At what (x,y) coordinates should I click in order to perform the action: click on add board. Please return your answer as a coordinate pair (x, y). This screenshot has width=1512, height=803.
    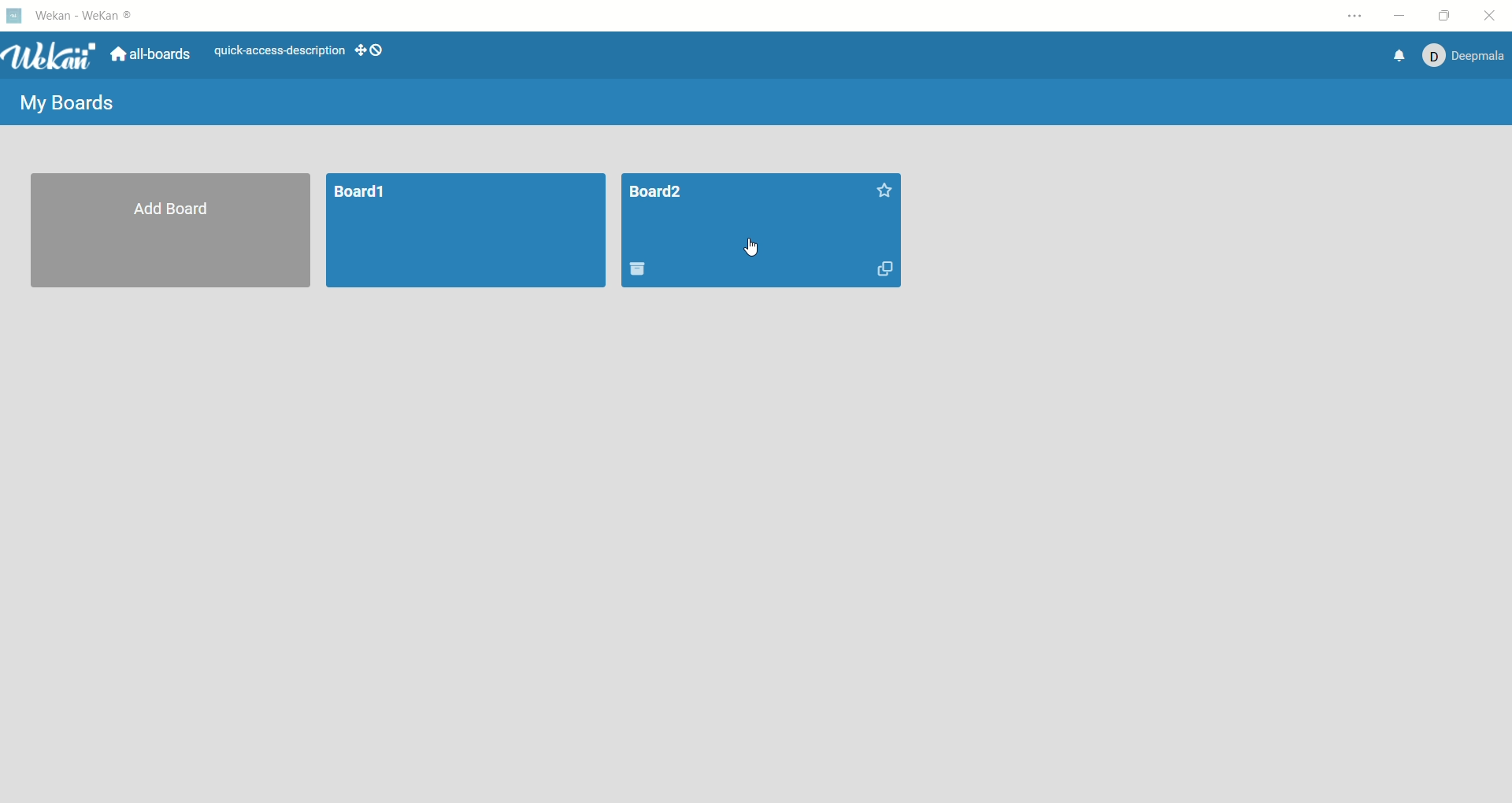
    Looking at the image, I should click on (166, 231).